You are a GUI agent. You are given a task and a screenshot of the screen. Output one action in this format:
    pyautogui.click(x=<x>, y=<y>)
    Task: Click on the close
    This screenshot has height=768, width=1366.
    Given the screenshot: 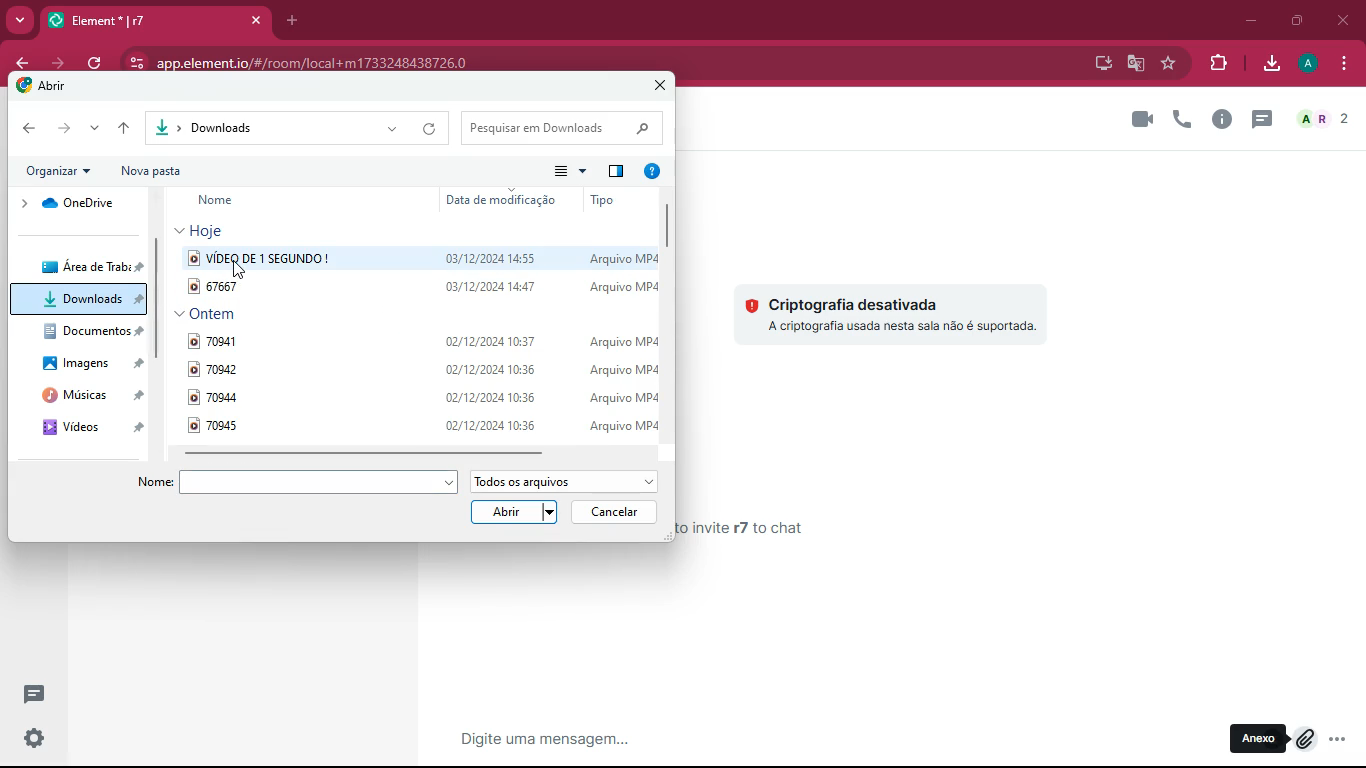 What is the action you would take?
    pyautogui.click(x=1347, y=22)
    